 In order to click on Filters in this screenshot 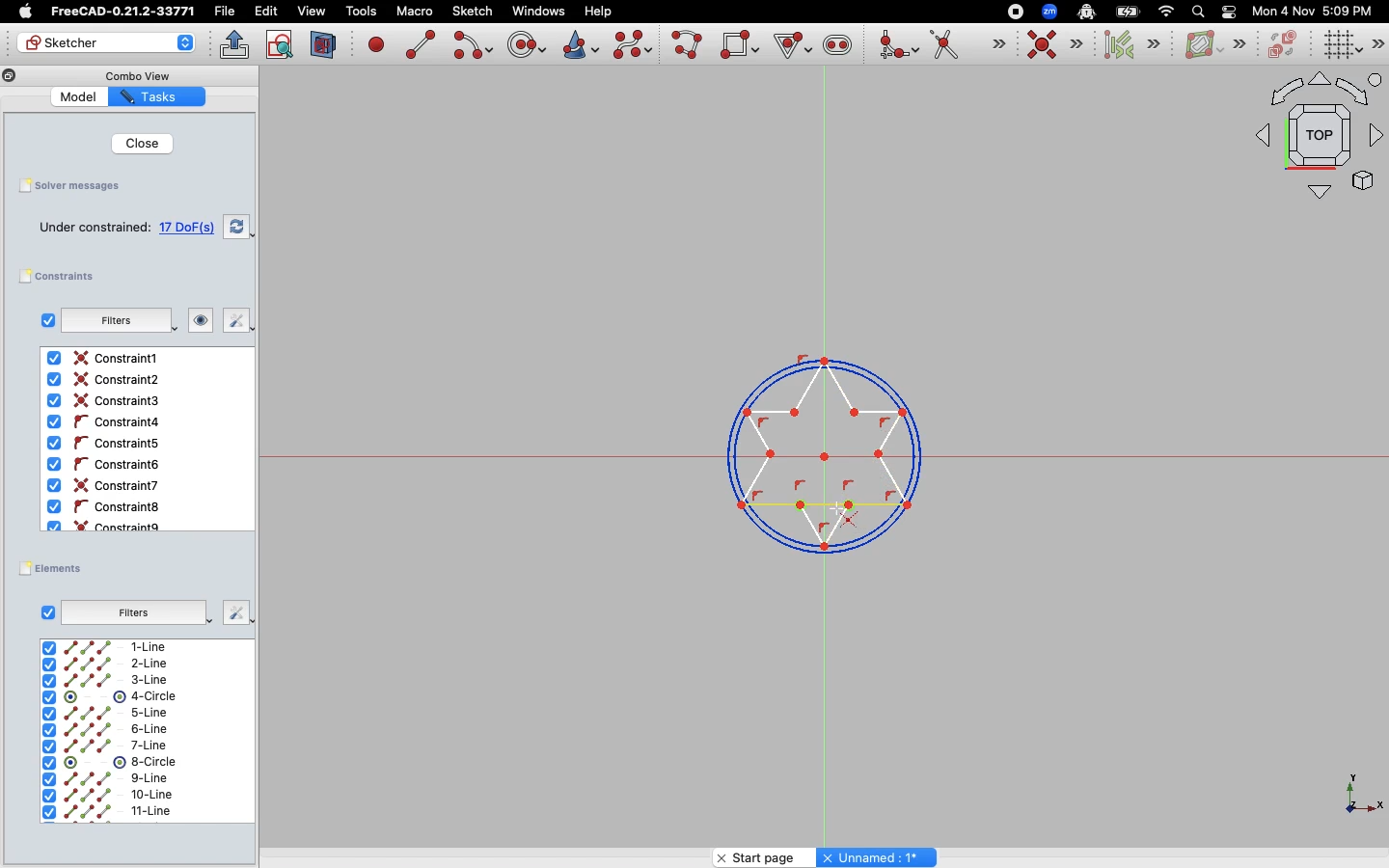, I will do `click(133, 610)`.